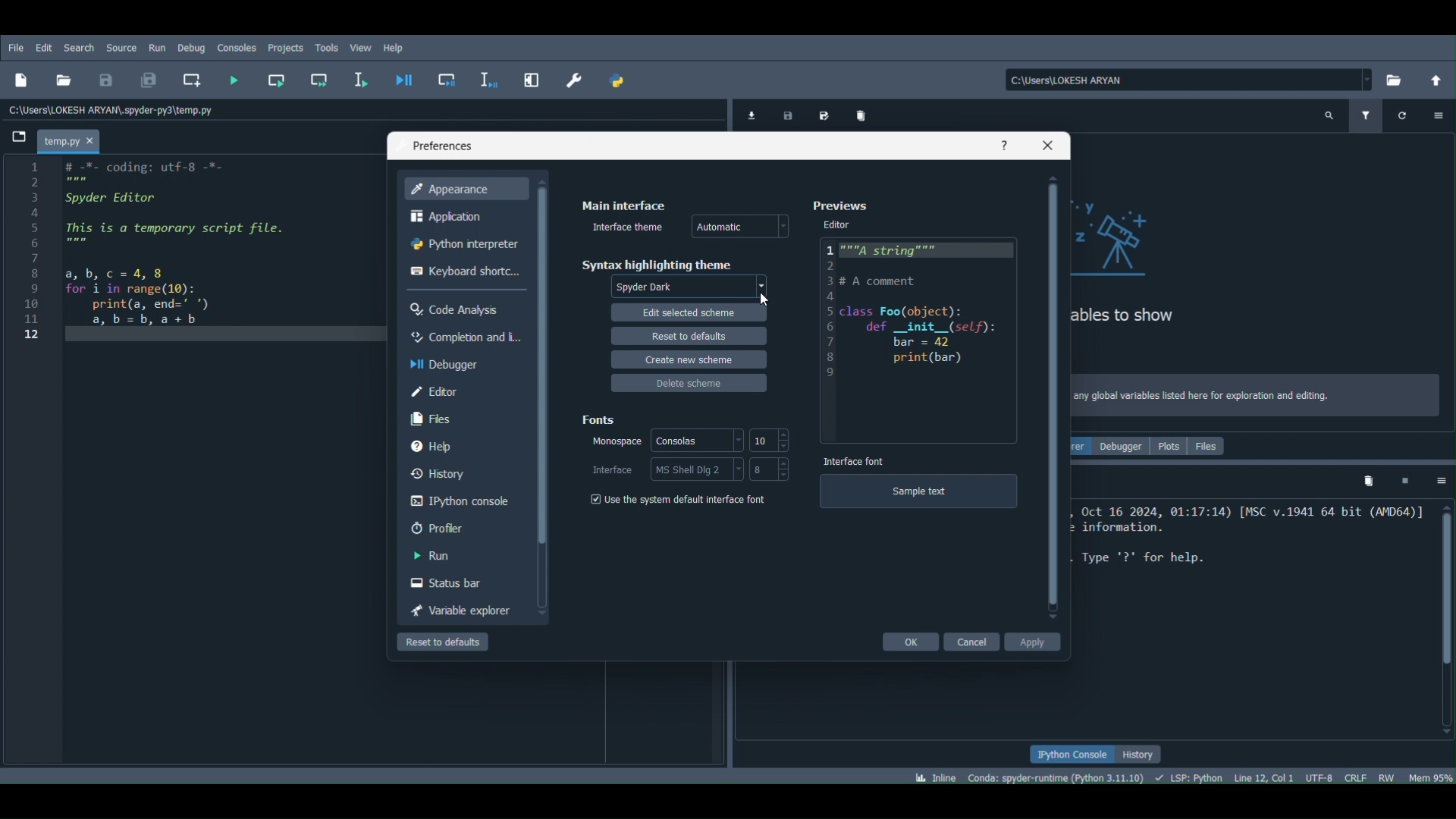 The width and height of the screenshot is (1456, 819). Describe the element at coordinates (1354, 779) in the screenshot. I see `File EOL status` at that location.